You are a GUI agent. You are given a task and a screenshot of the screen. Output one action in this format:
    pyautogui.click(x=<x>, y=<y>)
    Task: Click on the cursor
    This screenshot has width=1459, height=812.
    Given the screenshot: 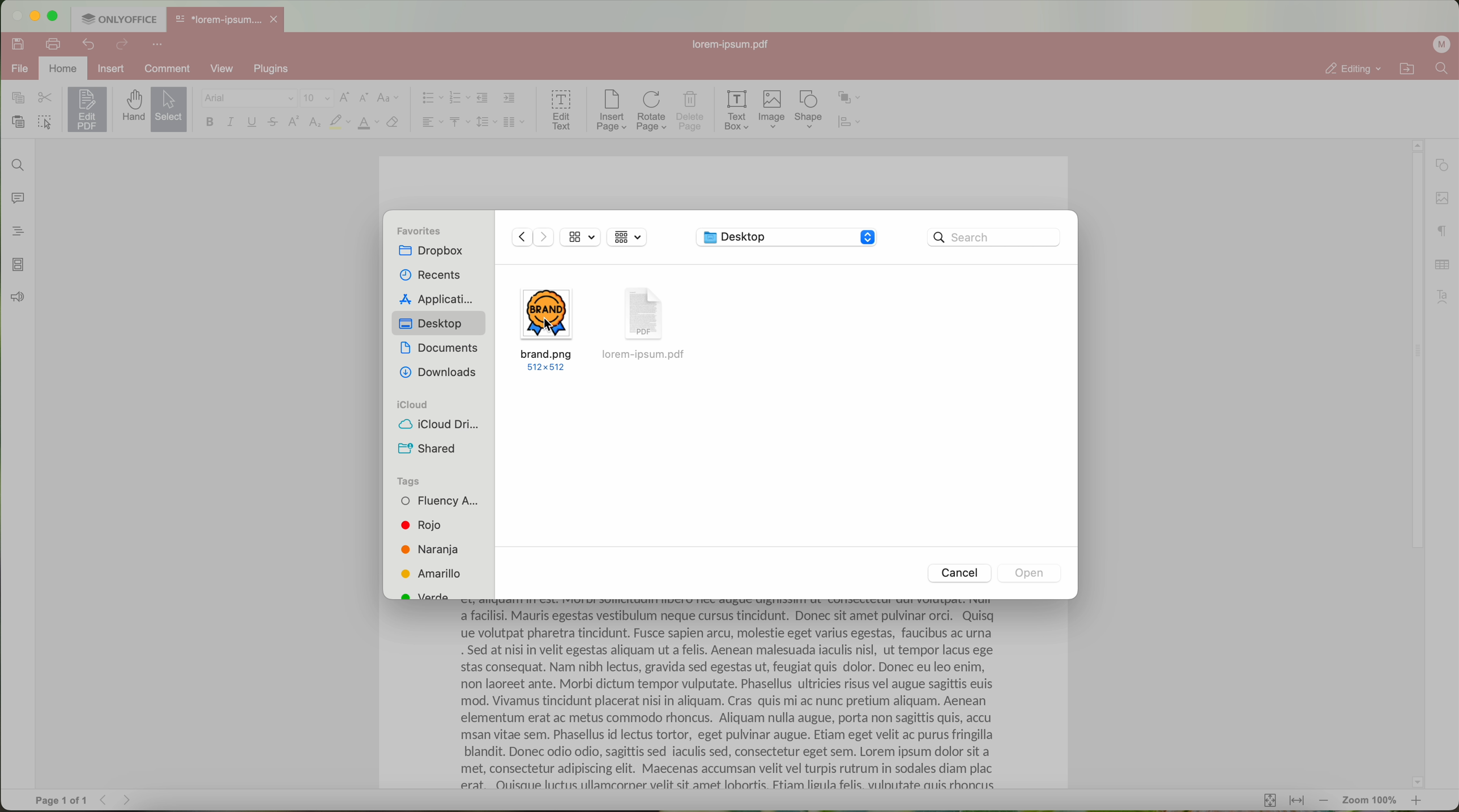 What is the action you would take?
    pyautogui.click(x=549, y=325)
    